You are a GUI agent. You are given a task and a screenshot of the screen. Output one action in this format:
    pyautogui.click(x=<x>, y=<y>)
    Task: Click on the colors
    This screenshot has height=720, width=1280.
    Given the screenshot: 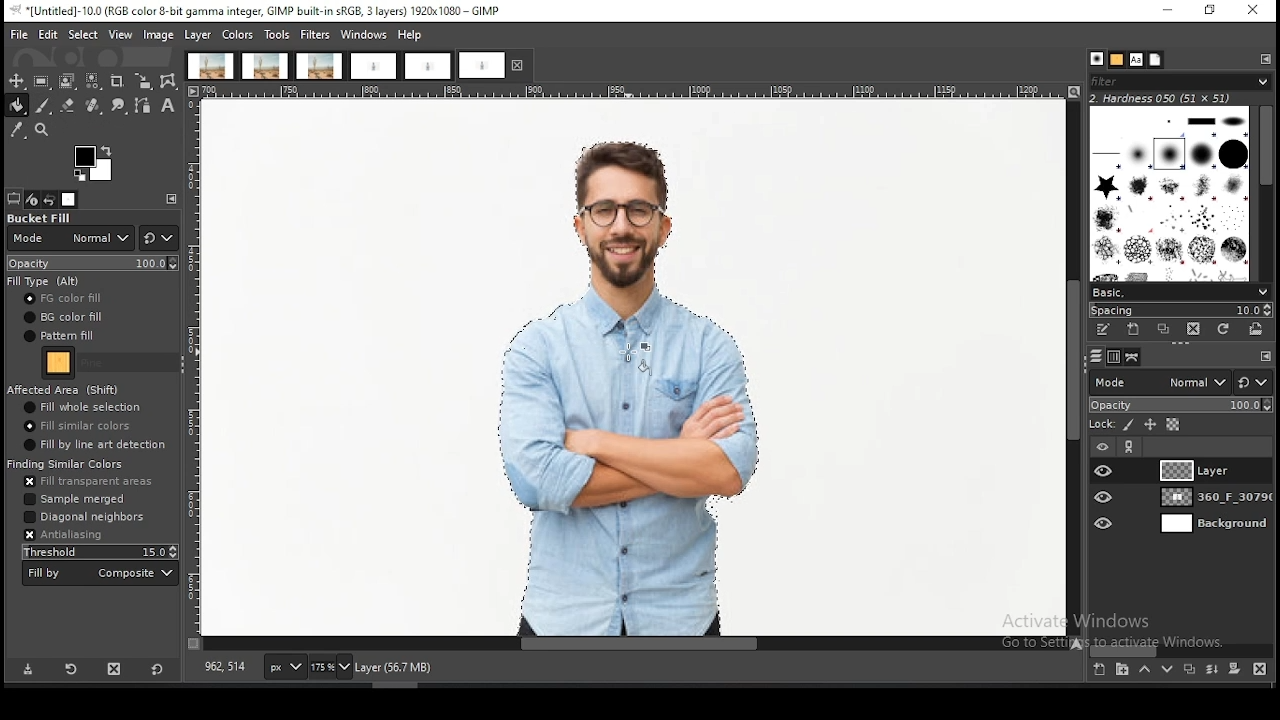 What is the action you would take?
    pyautogui.click(x=237, y=35)
    